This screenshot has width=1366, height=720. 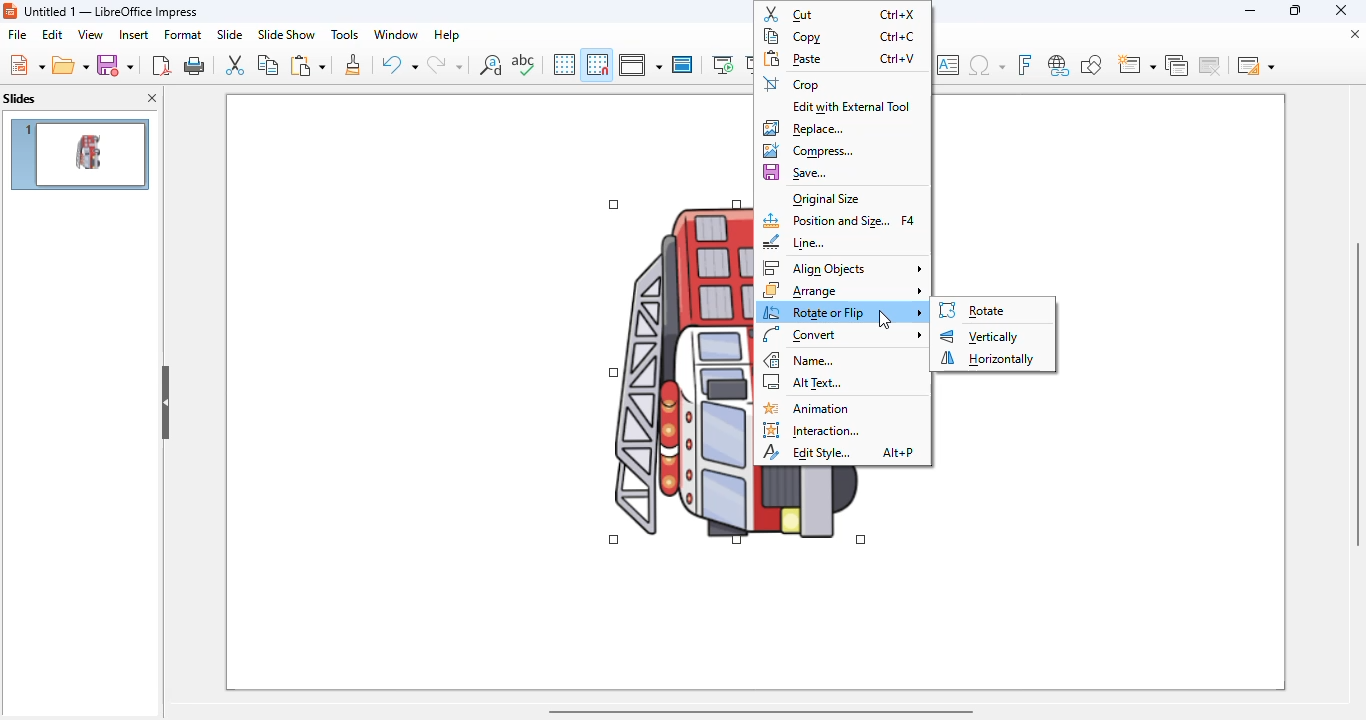 I want to click on vertical scroll bar, so click(x=1358, y=393).